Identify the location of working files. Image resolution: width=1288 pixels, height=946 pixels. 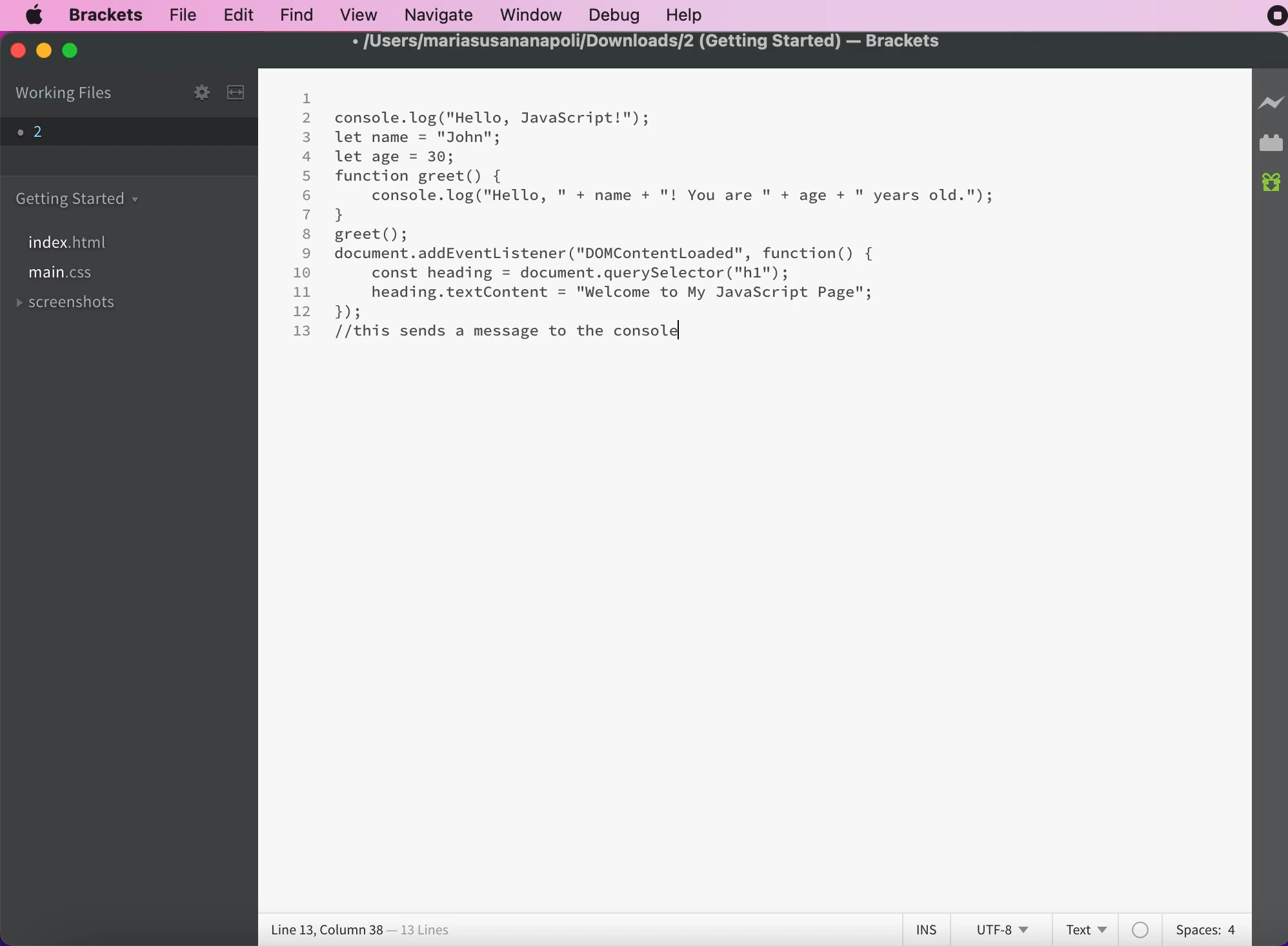
(77, 95).